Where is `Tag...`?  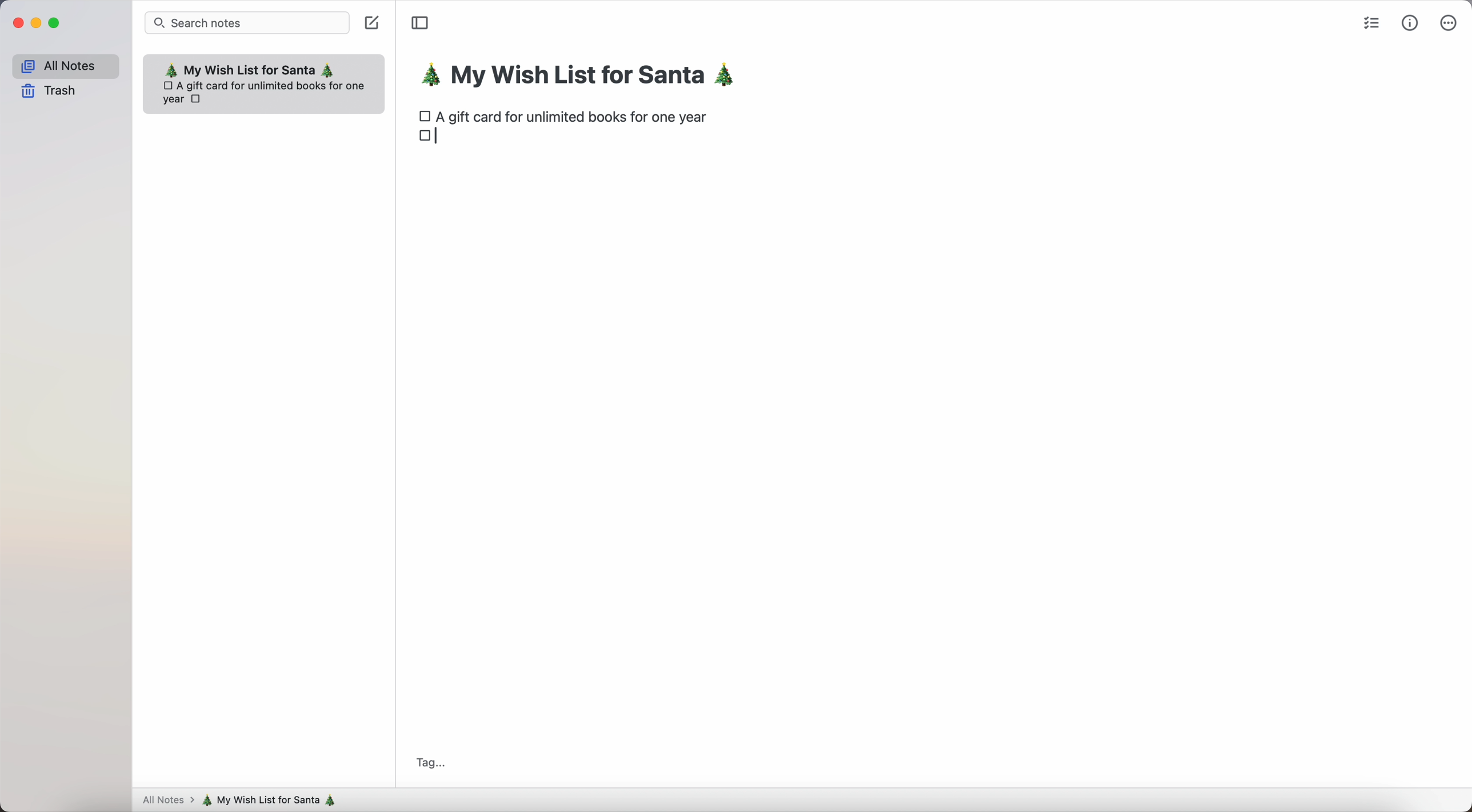
Tag... is located at coordinates (430, 762).